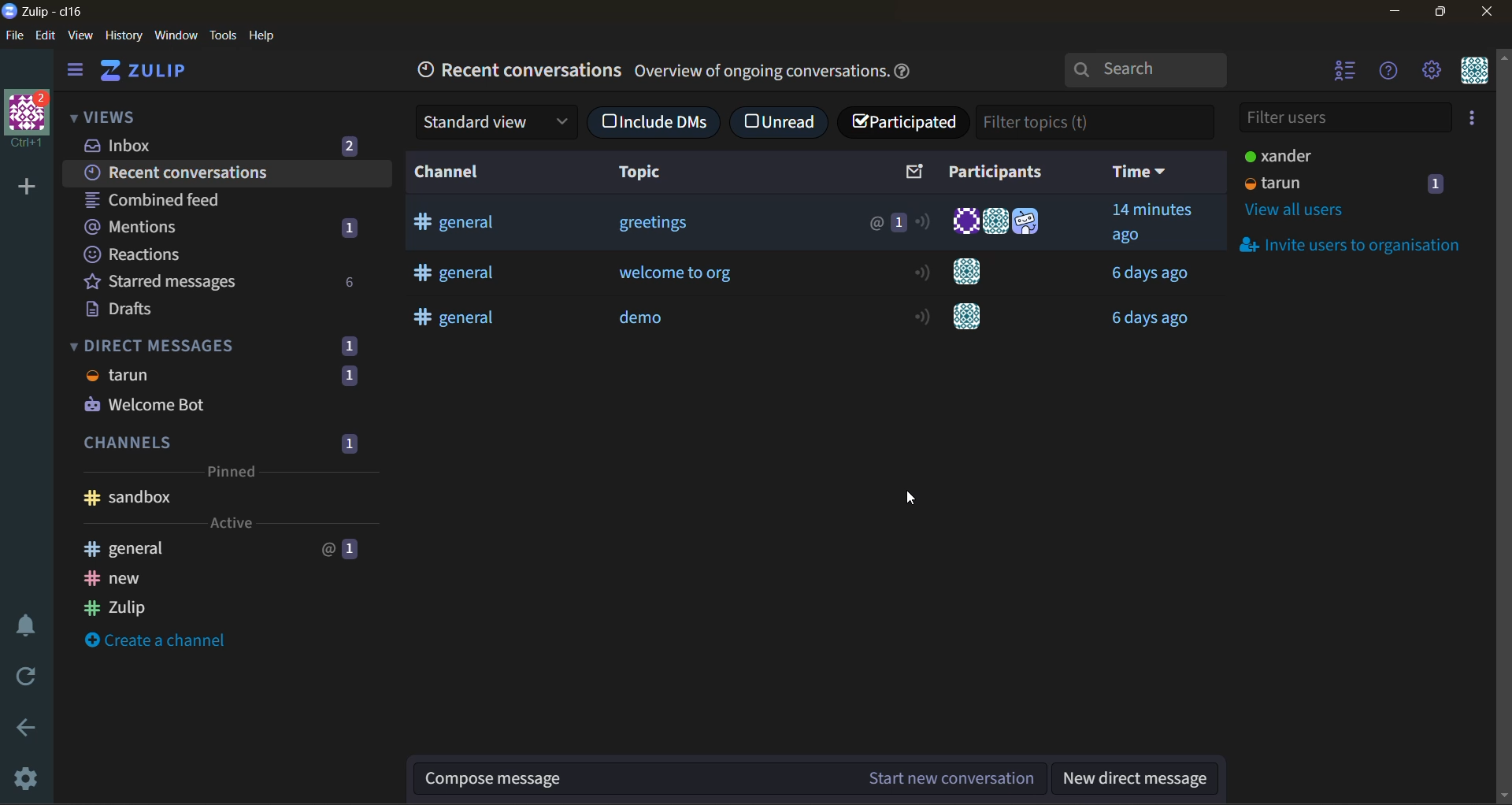 The image size is (1512, 805). Describe the element at coordinates (685, 322) in the screenshot. I see `demo` at that location.